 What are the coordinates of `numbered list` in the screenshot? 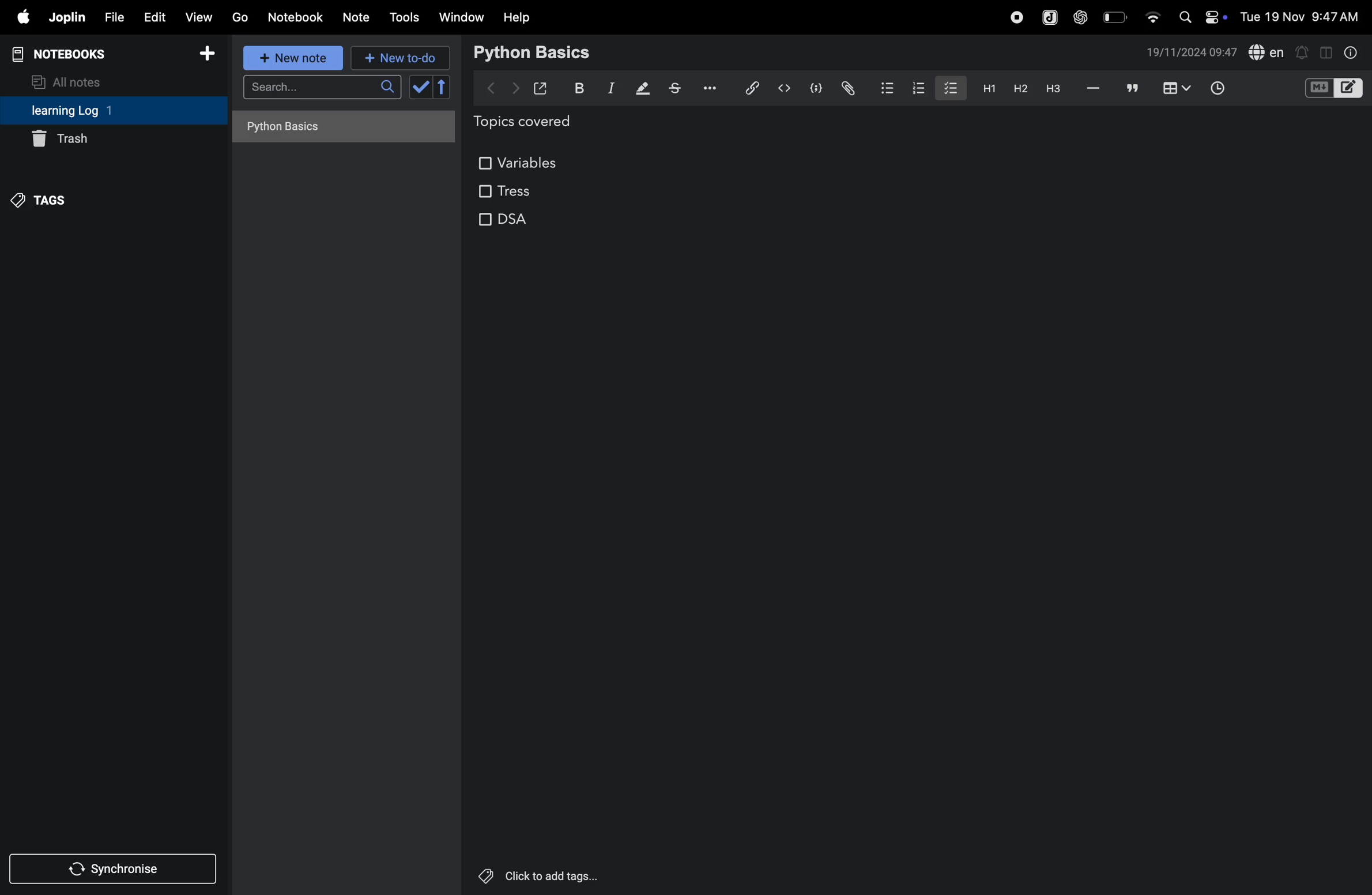 It's located at (921, 88).